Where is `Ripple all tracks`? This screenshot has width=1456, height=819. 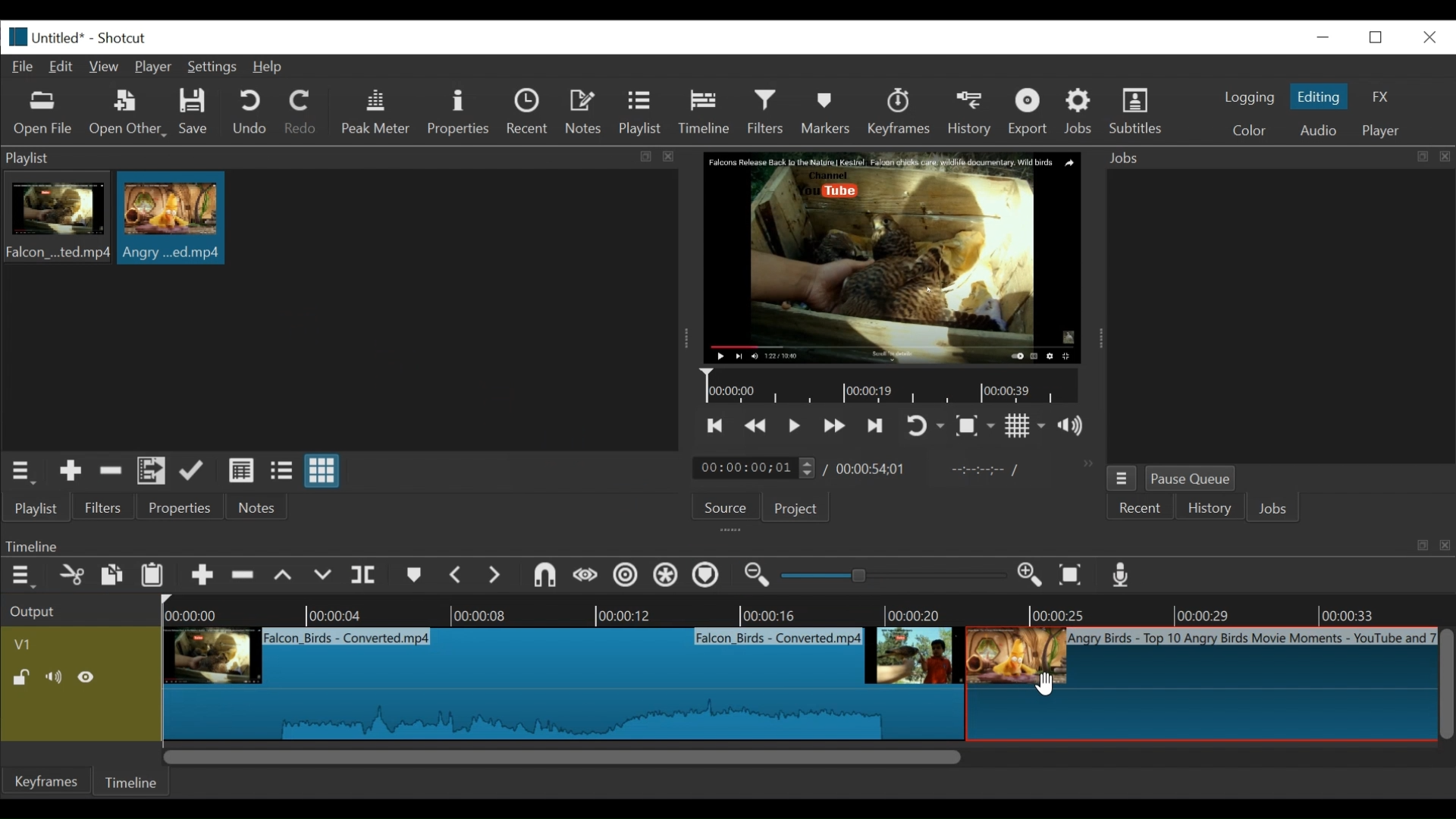
Ripple all tracks is located at coordinates (665, 577).